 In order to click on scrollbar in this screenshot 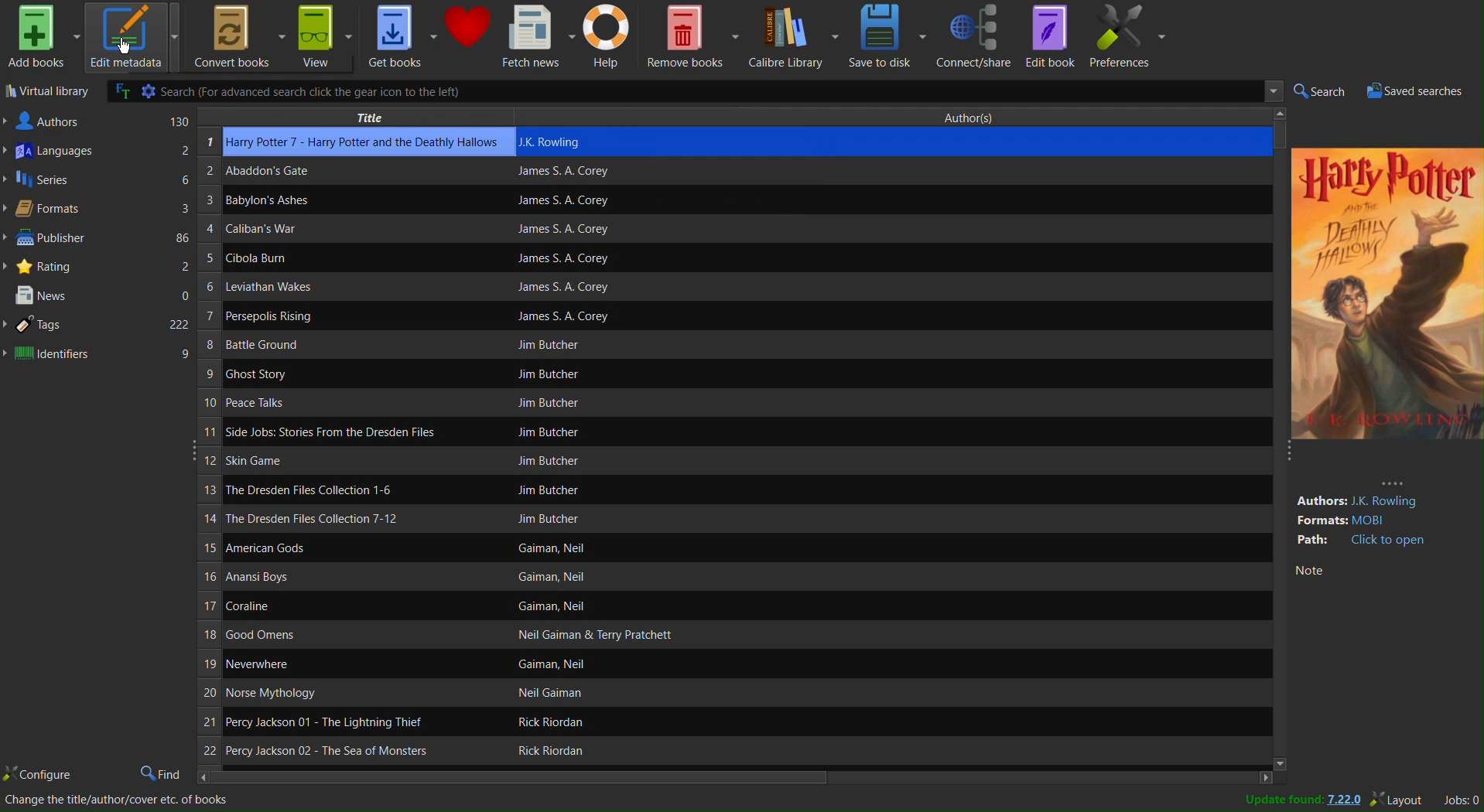, I will do `click(1276, 441)`.